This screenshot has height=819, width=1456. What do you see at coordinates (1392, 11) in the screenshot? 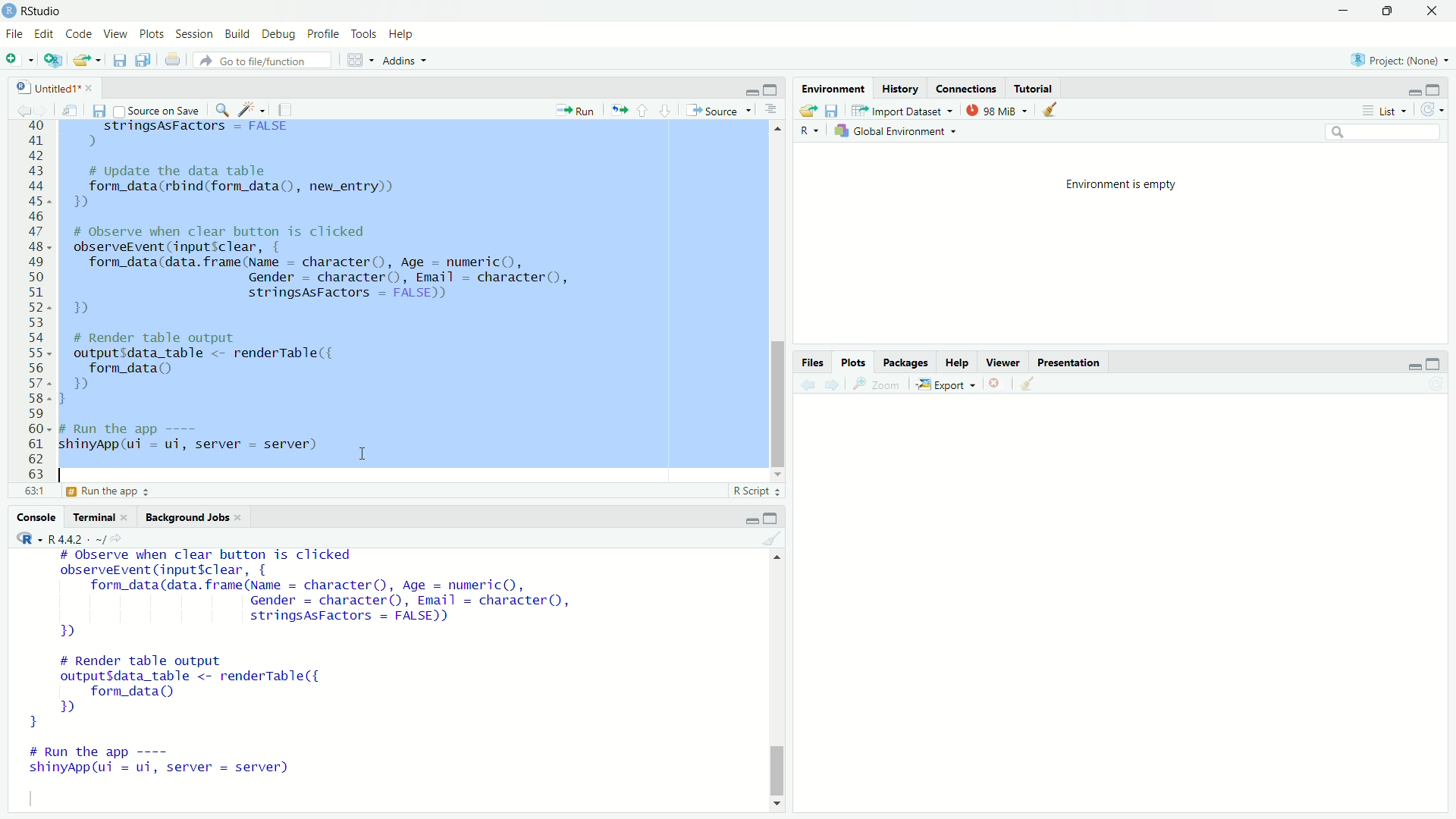
I see `maximize` at bounding box center [1392, 11].